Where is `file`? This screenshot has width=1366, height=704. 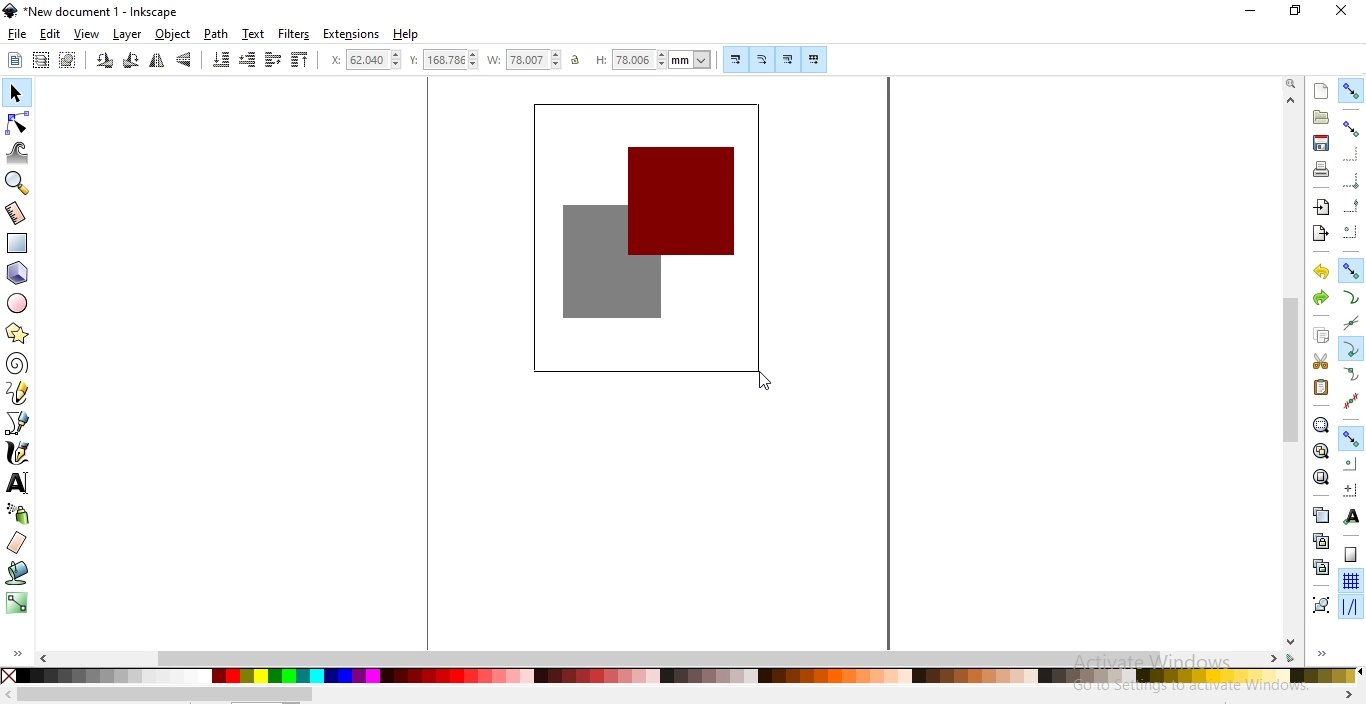
file is located at coordinates (18, 35).